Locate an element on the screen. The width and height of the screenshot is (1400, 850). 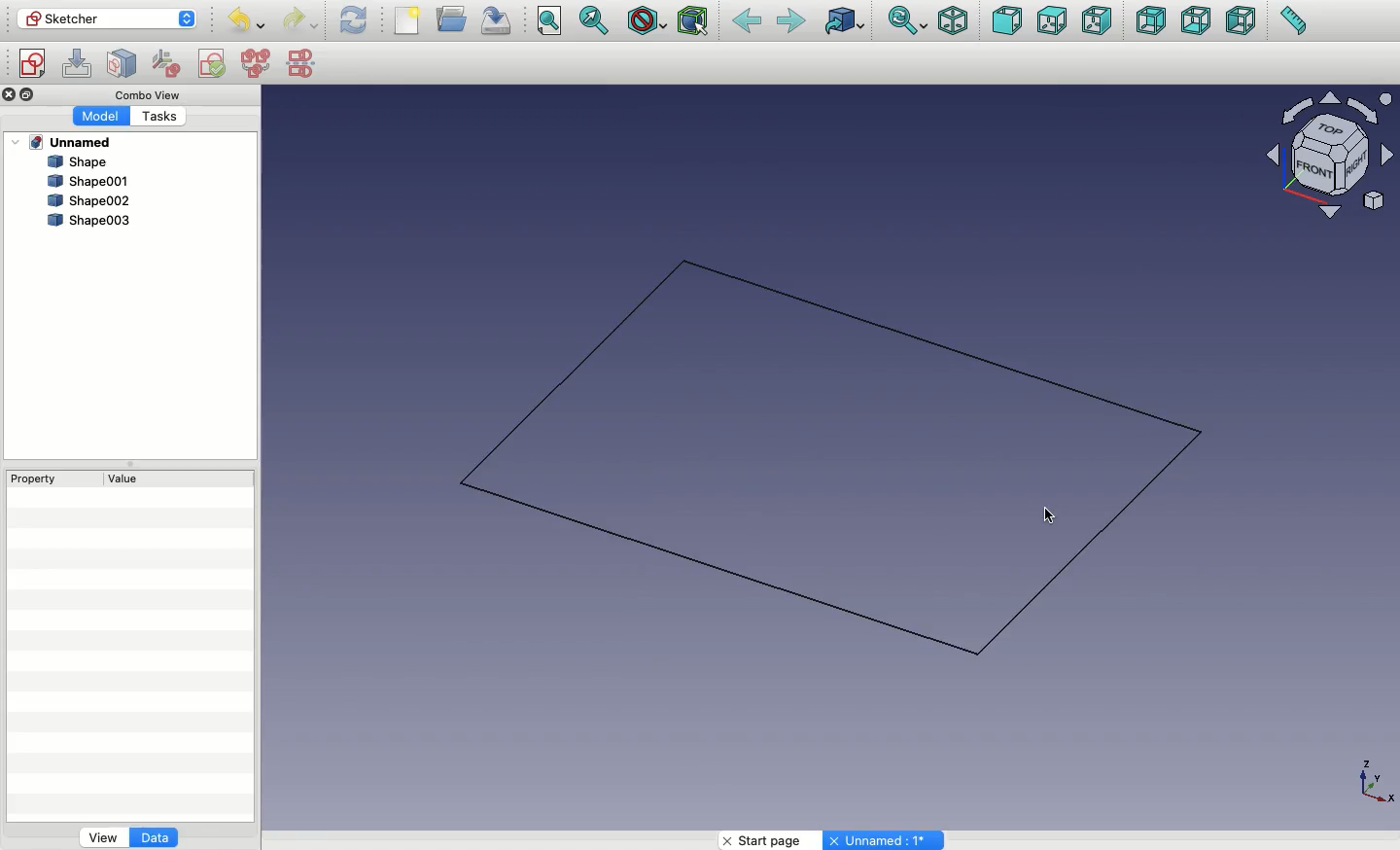
Axis is located at coordinates (1376, 785).